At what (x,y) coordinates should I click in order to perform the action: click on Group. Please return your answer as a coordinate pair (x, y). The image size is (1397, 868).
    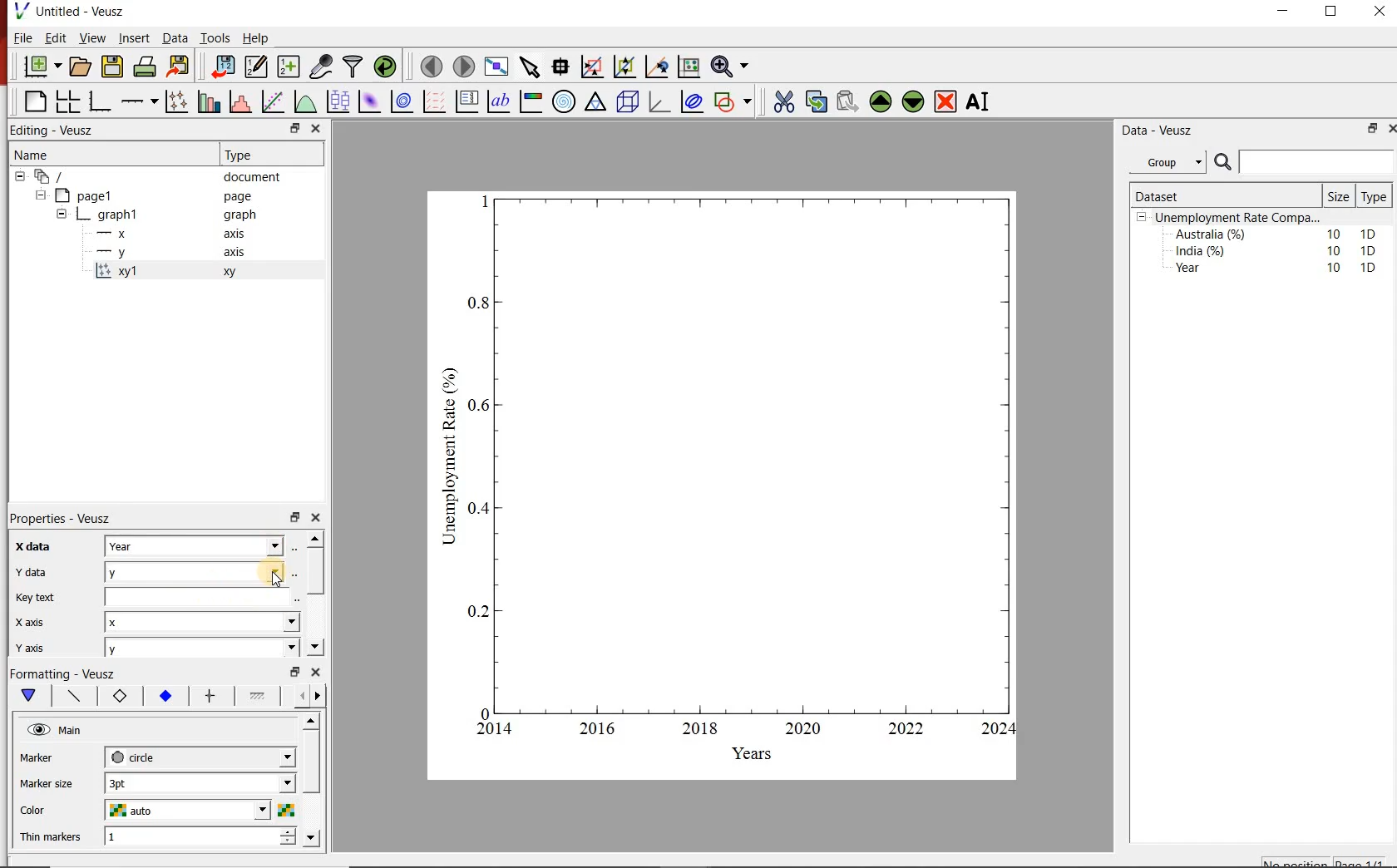
    Looking at the image, I should click on (1170, 162).